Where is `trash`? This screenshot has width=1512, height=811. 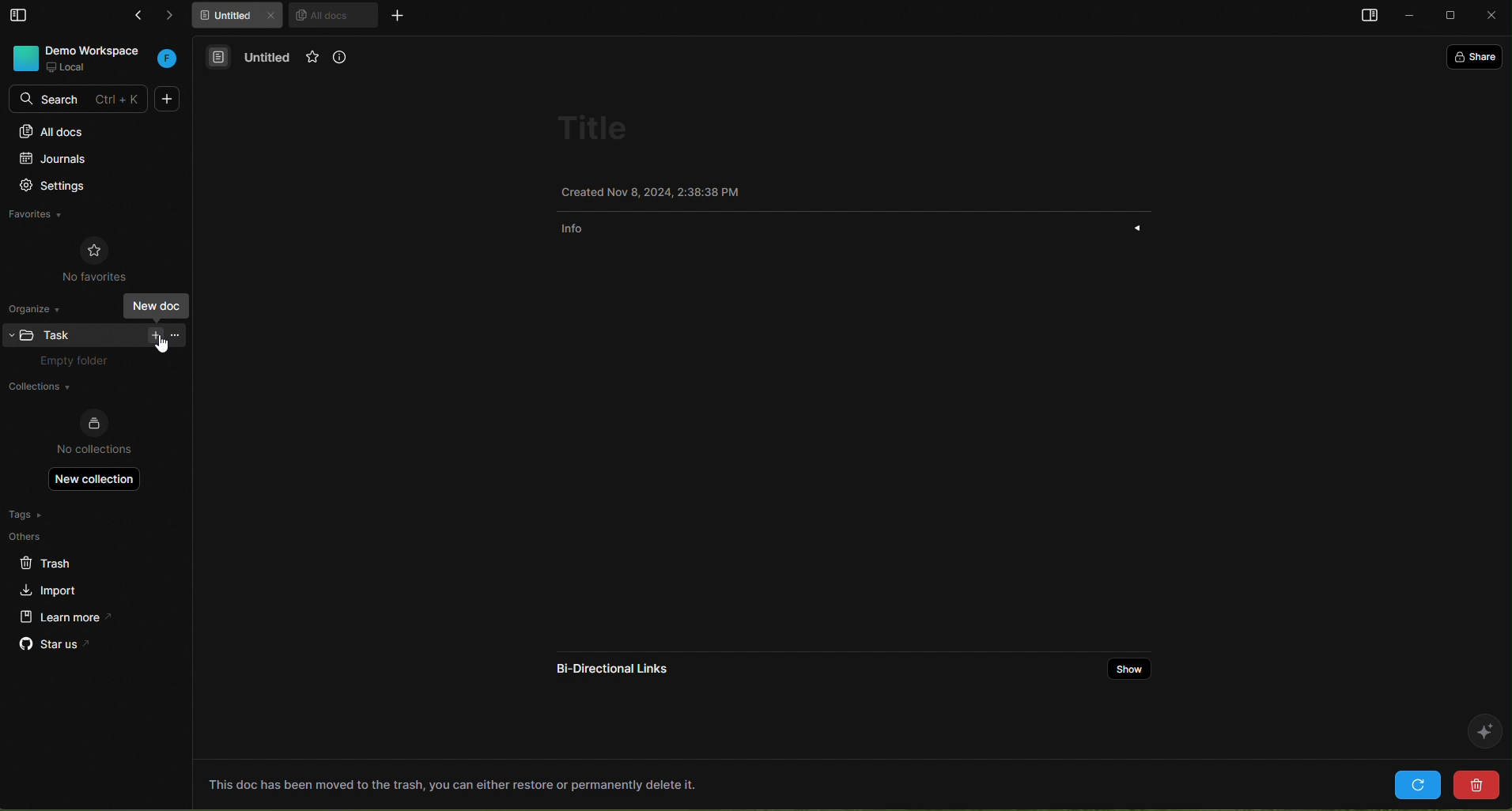 trash is located at coordinates (59, 560).